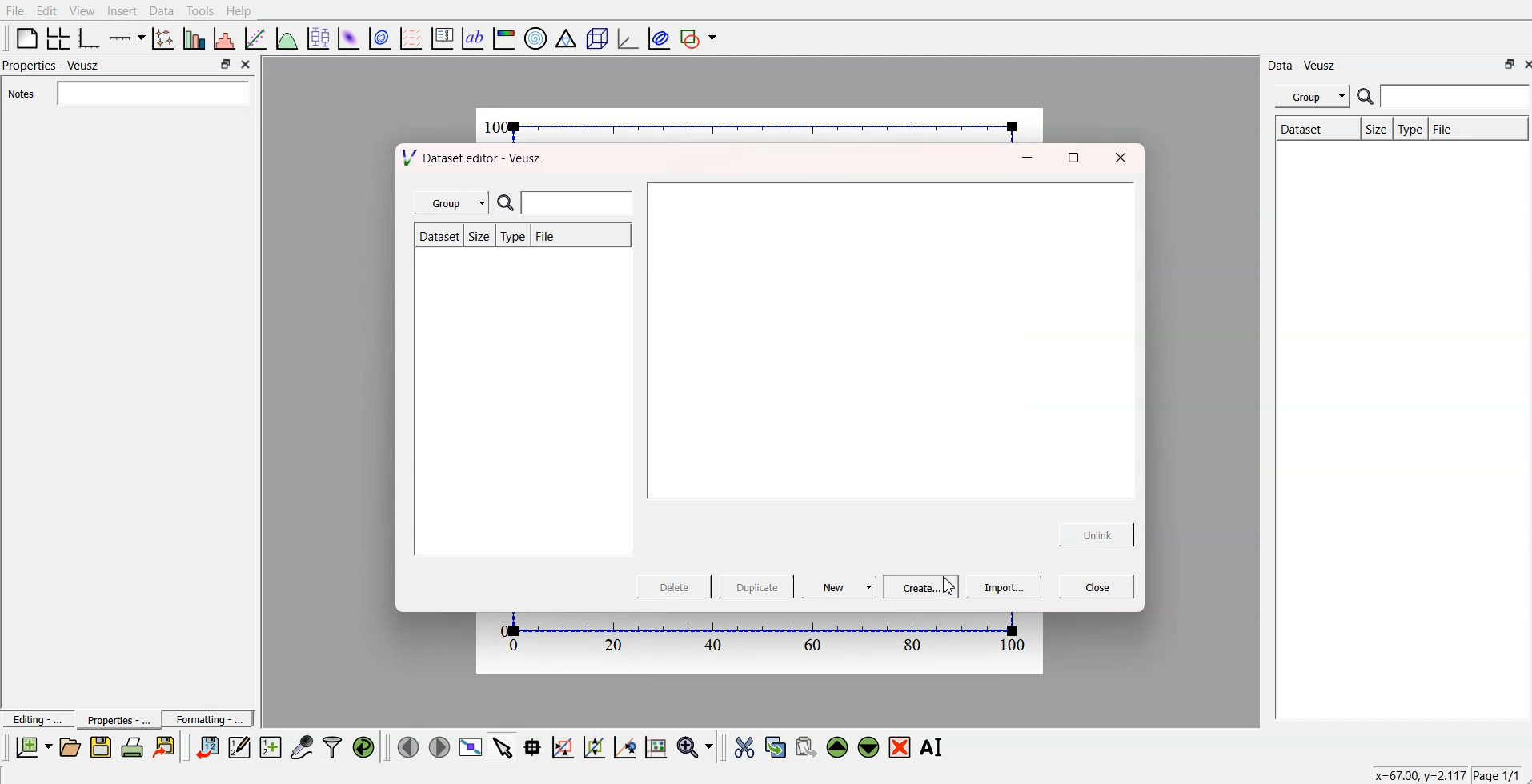 This screenshot has width=1532, height=784. Describe the element at coordinates (656, 37) in the screenshot. I see `plot covariance ellipses` at that location.